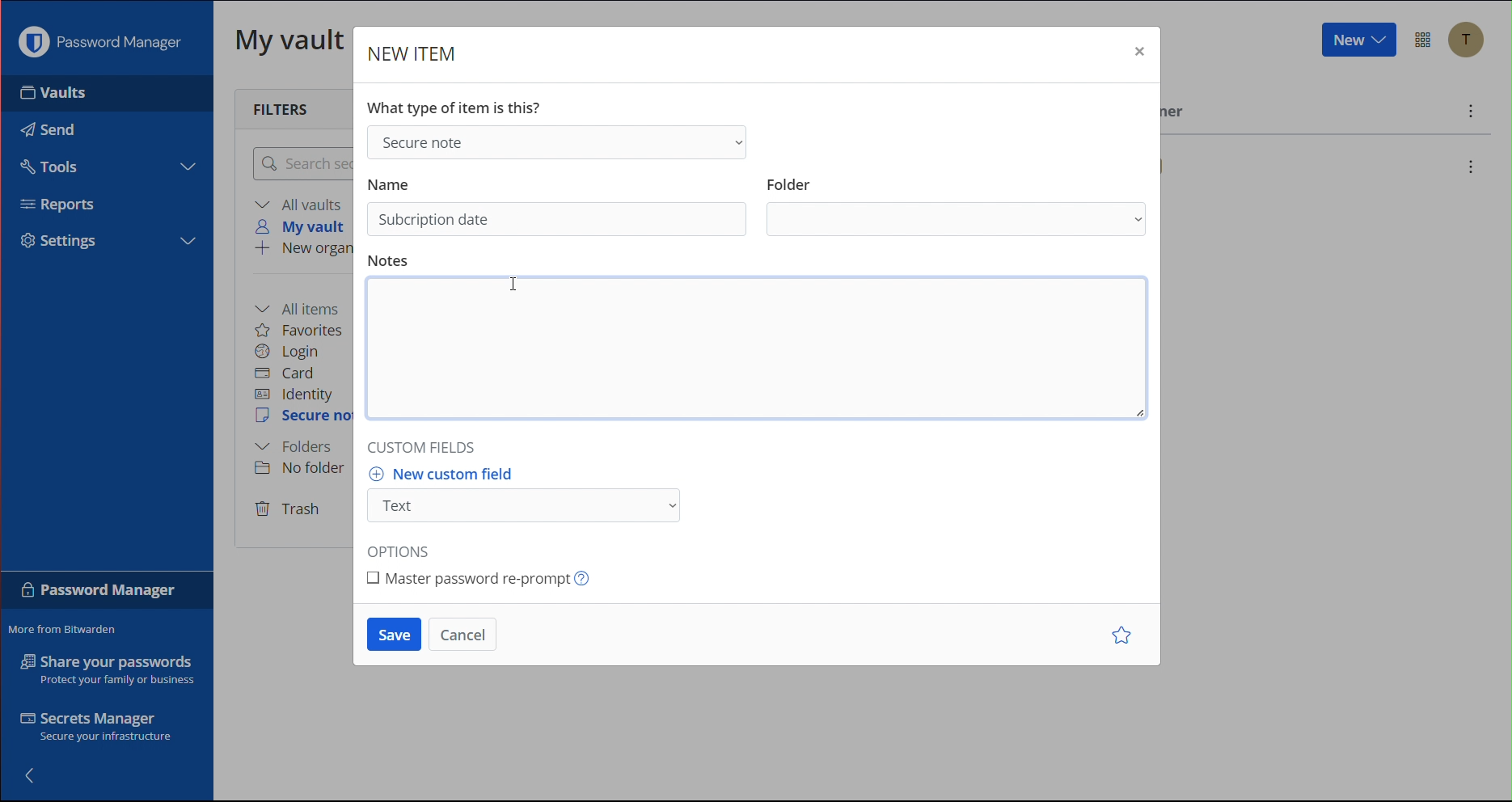 This screenshot has height=802, width=1512. Describe the element at coordinates (288, 352) in the screenshot. I see `Login` at that location.